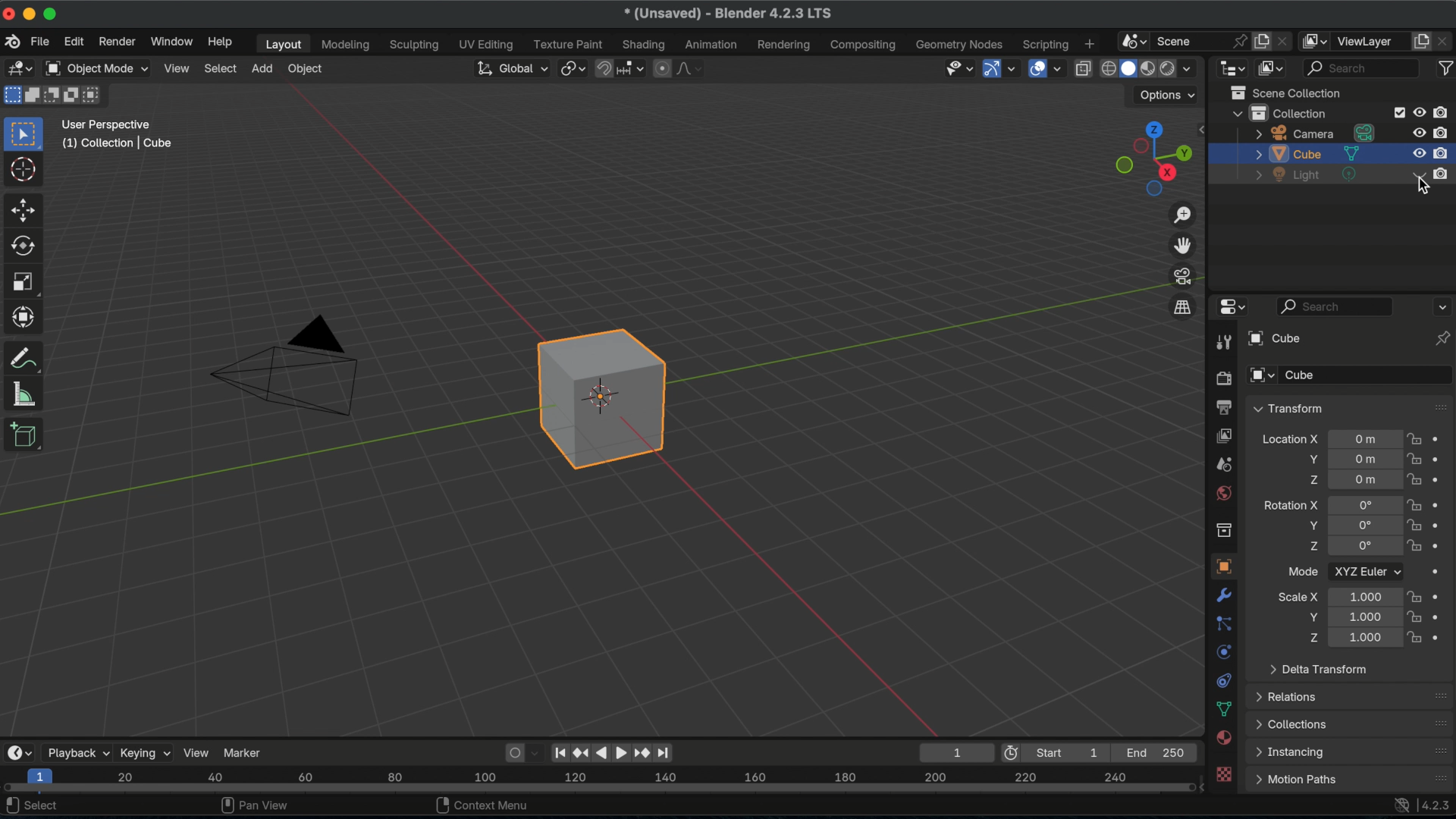 The width and height of the screenshot is (1456, 819). I want to click on Euler rotation, so click(1364, 503).